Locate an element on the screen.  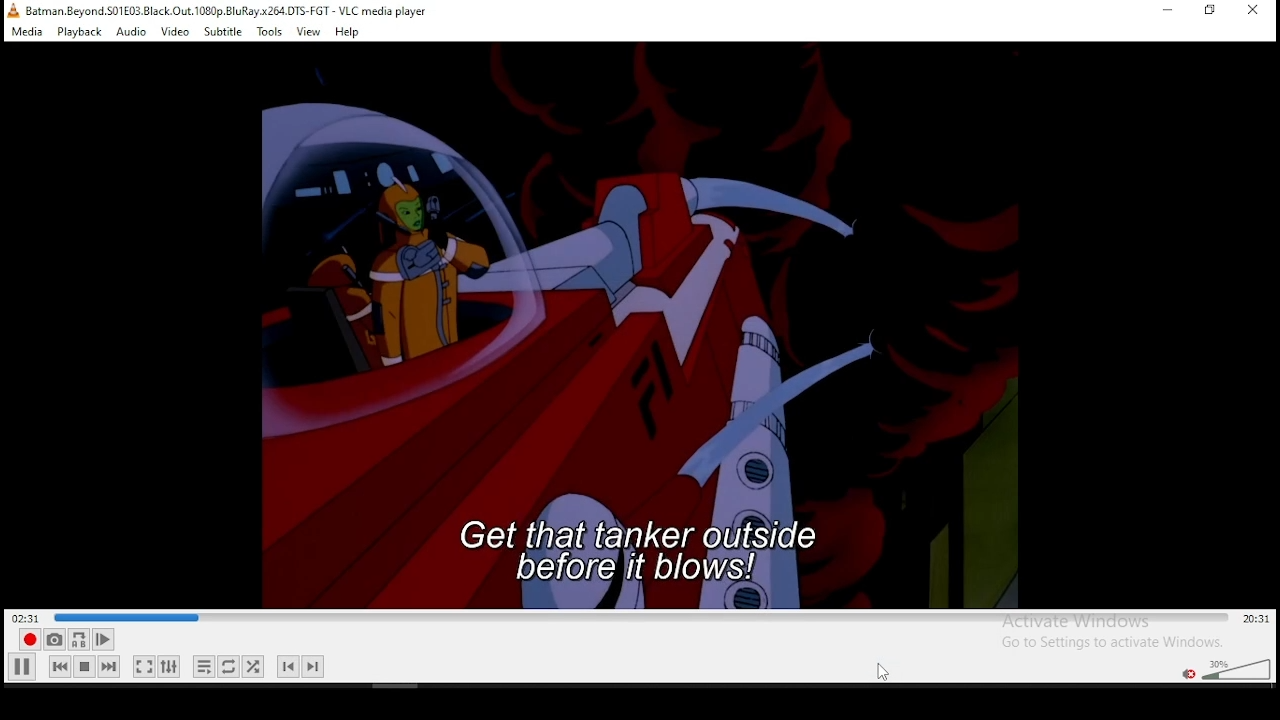
stop is located at coordinates (84, 666).